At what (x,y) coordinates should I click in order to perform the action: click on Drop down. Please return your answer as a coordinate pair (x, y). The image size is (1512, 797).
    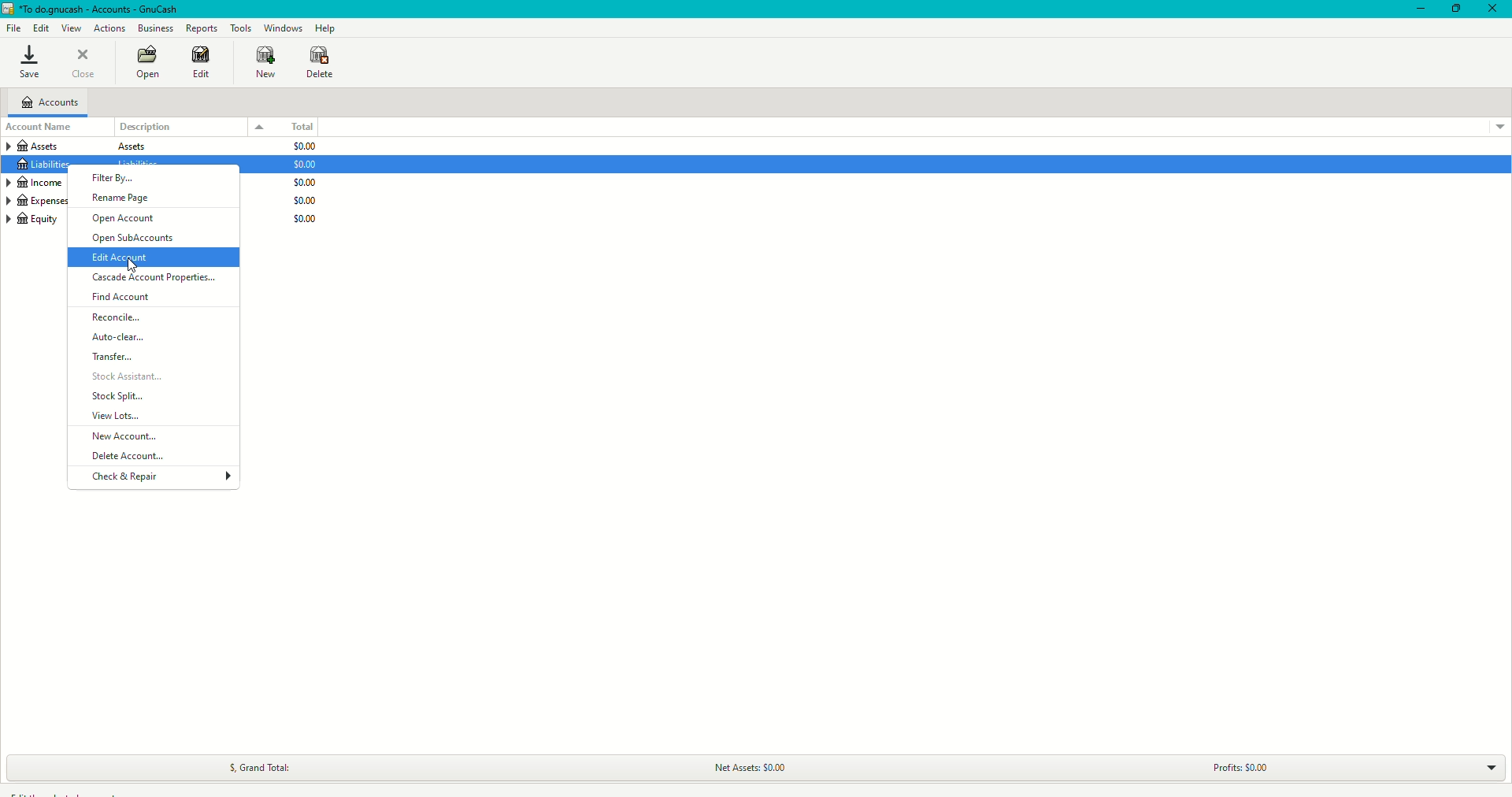
    Looking at the image, I should click on (258, 127).